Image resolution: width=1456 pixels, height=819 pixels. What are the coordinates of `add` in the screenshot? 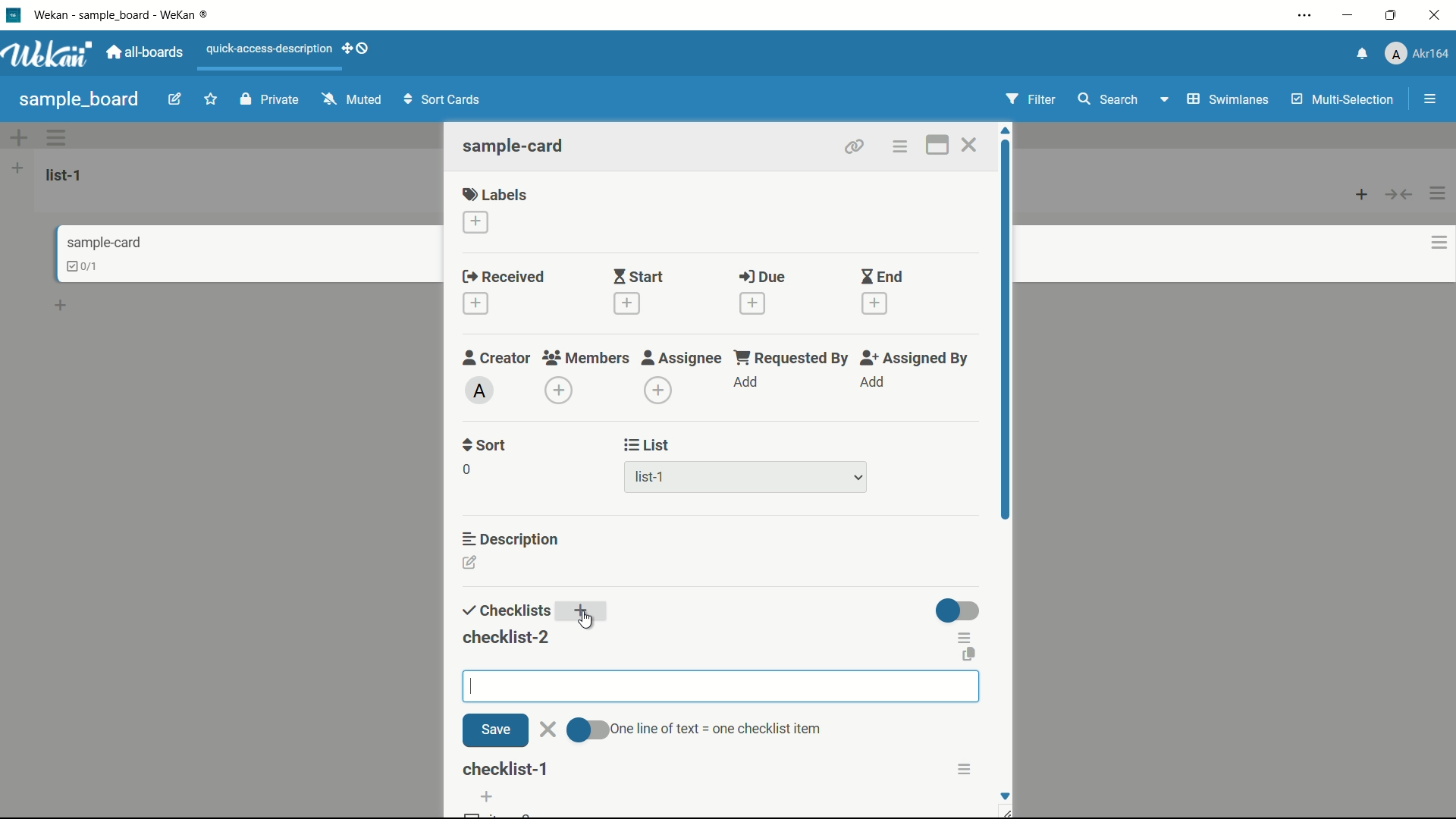 It's located at (871, 382).